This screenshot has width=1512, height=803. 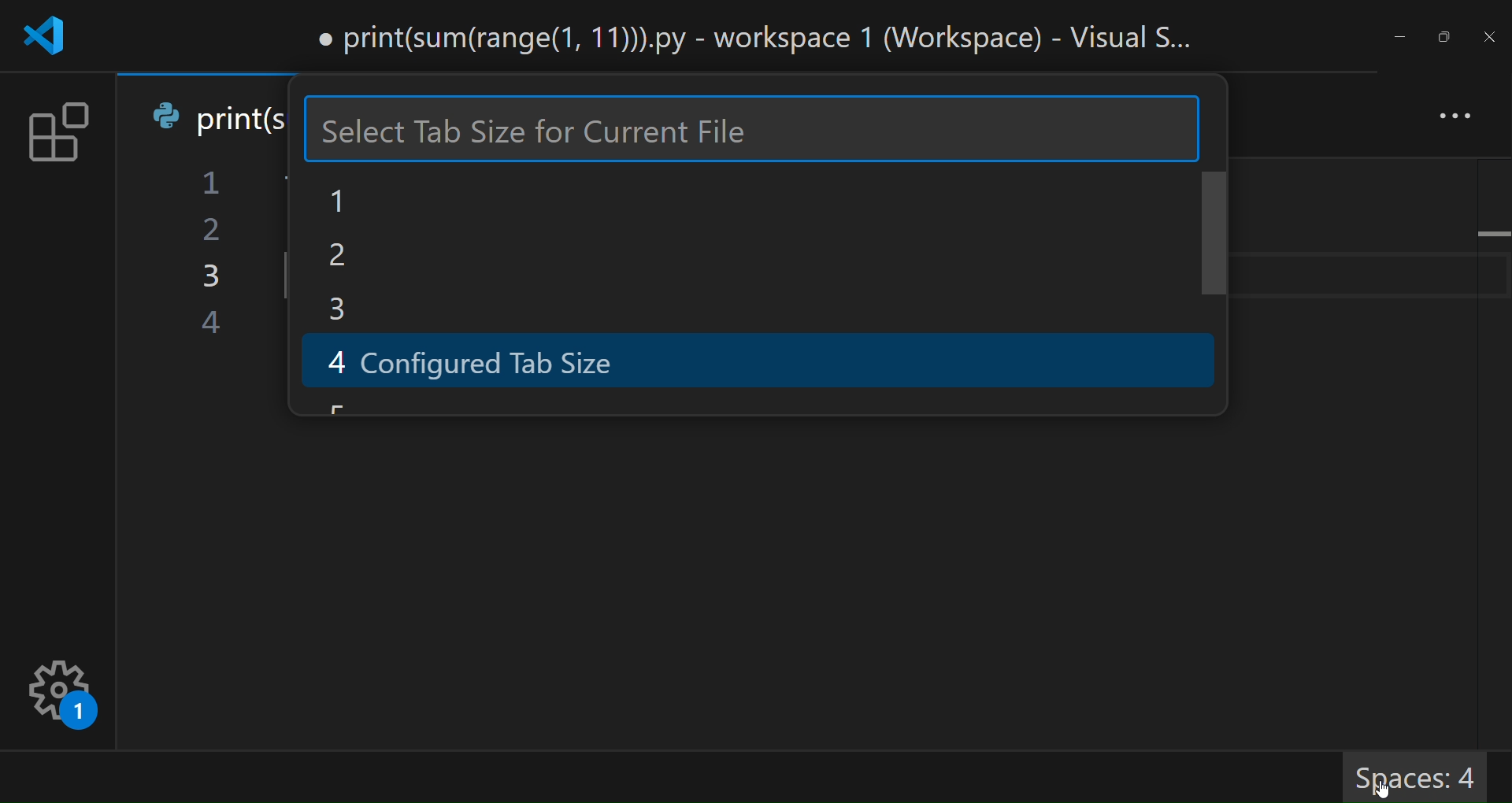 What do you see at coordinates (365, 305) in the screenshot?
I see `3` at bounding box center [365, 305].